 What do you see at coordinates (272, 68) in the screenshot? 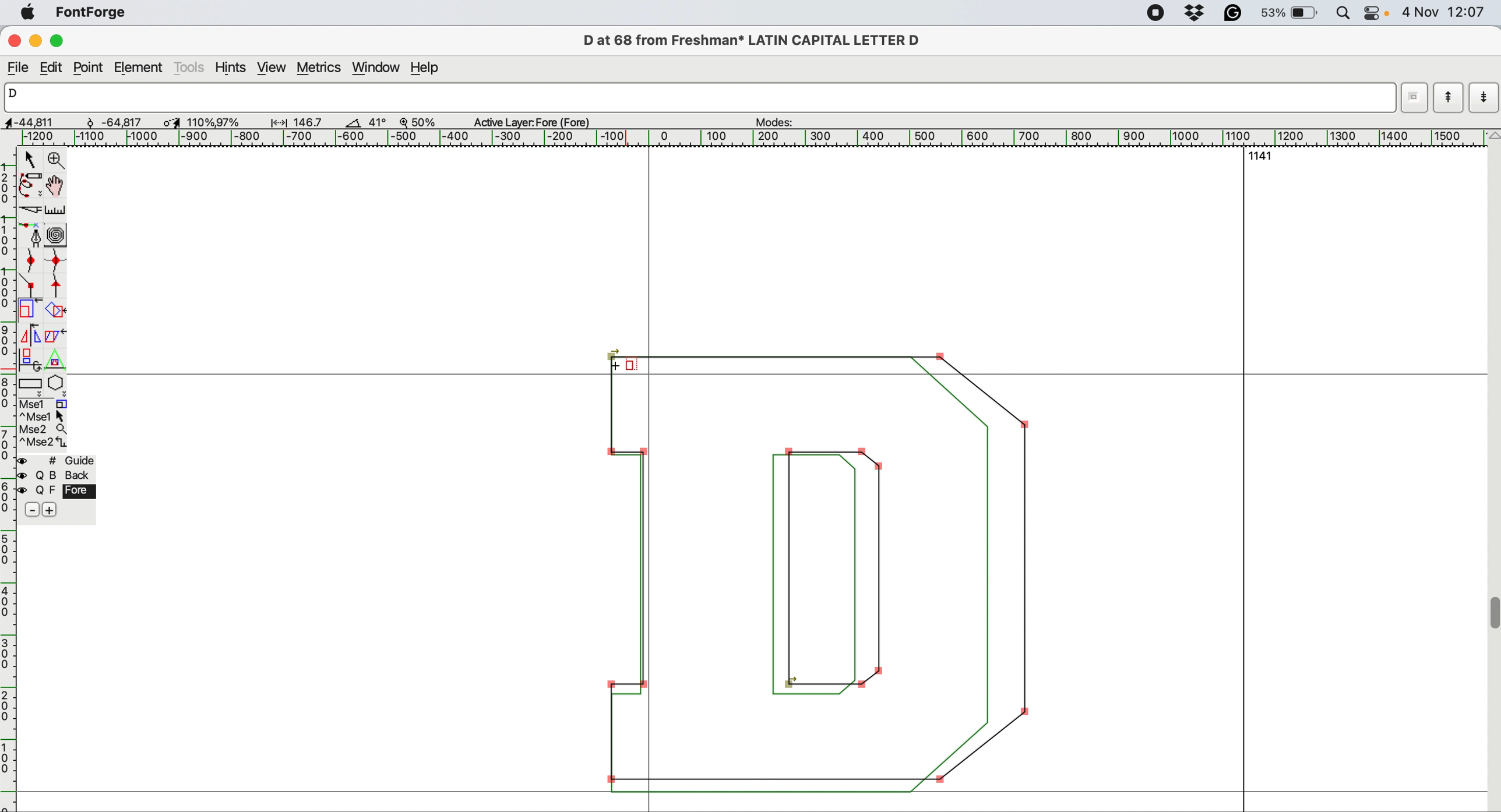
I see `view` at bounding box center [272, 68].